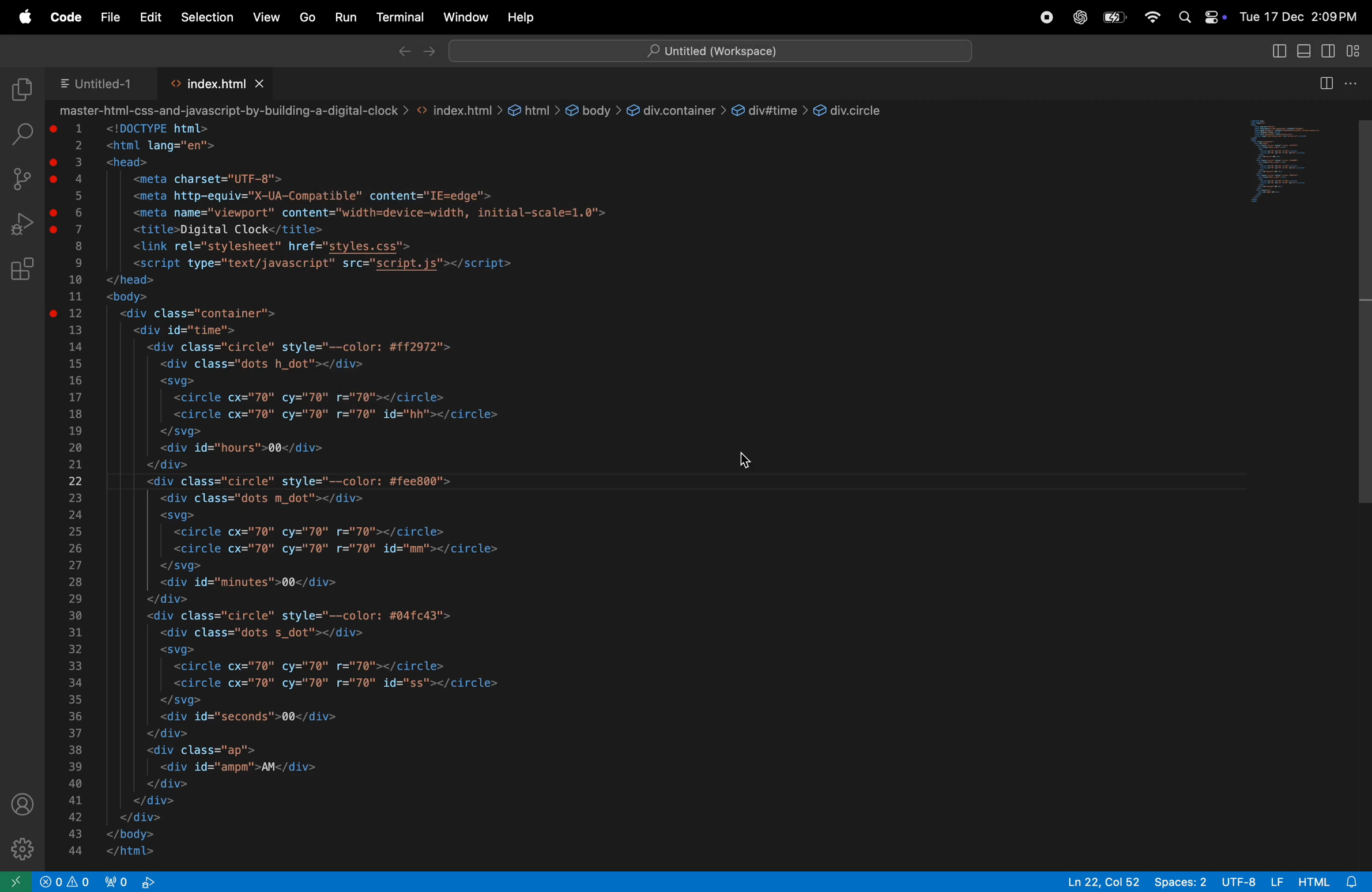 The image size is (1372, 892). Describe the element at coordinates (1307, 50) in the screenshot. I see `Toggle view` at that location.